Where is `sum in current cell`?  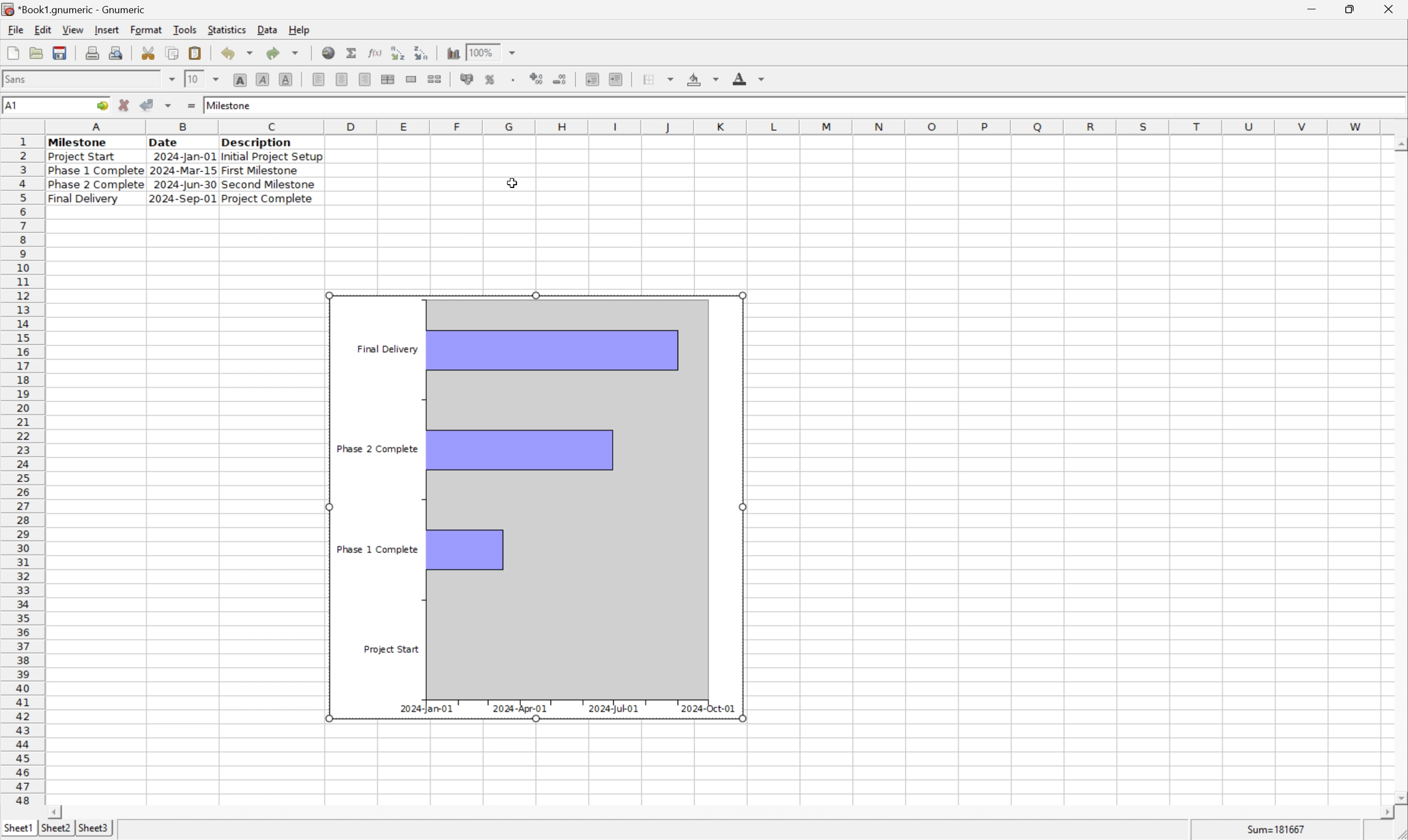 sum in current cell is located at coordinates (353, 53).